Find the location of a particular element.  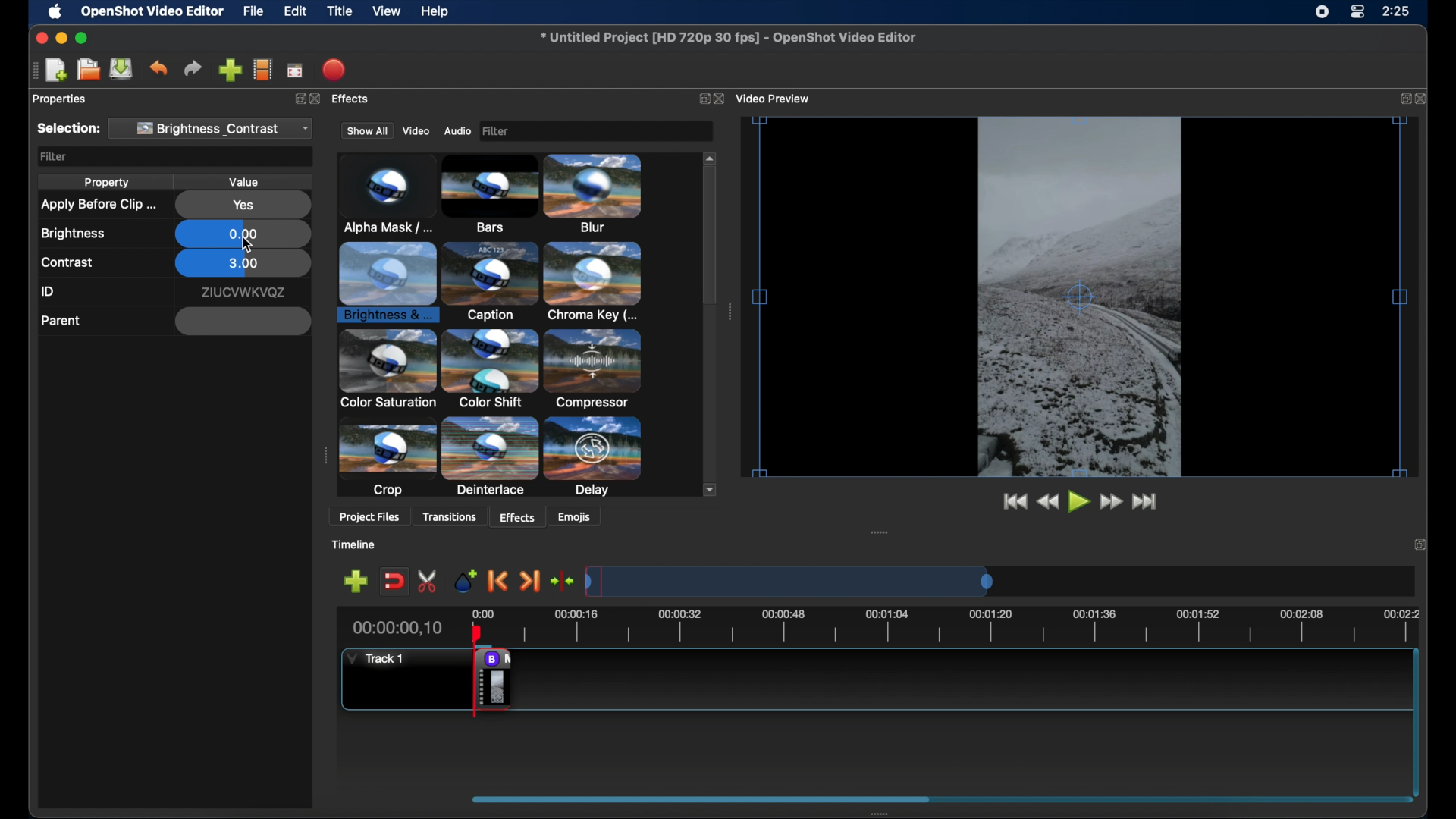

redo is located at coordinates (193, 68).